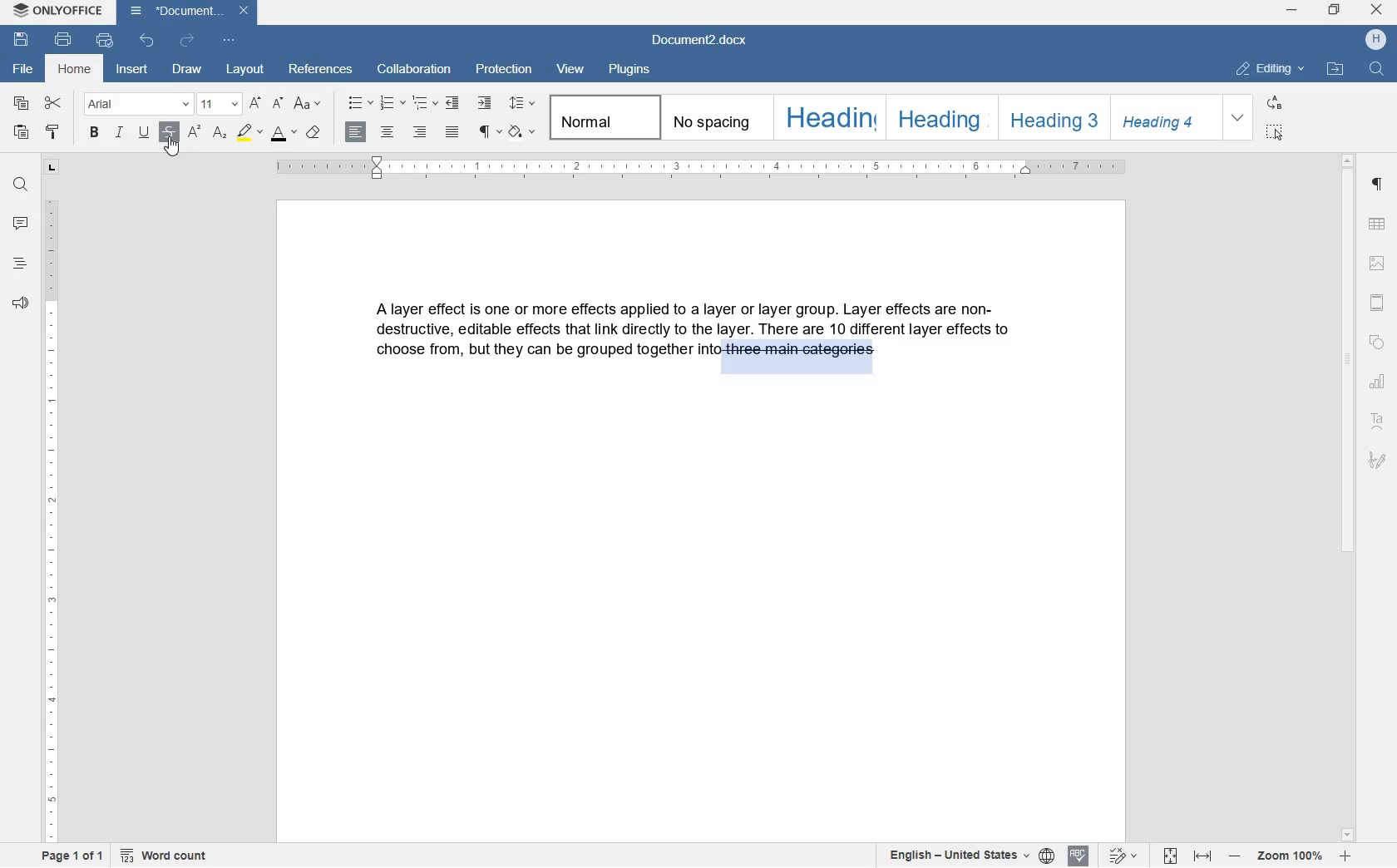 This screenshot has height=868, width=1397. I want to click on insert, so click(135, 72).